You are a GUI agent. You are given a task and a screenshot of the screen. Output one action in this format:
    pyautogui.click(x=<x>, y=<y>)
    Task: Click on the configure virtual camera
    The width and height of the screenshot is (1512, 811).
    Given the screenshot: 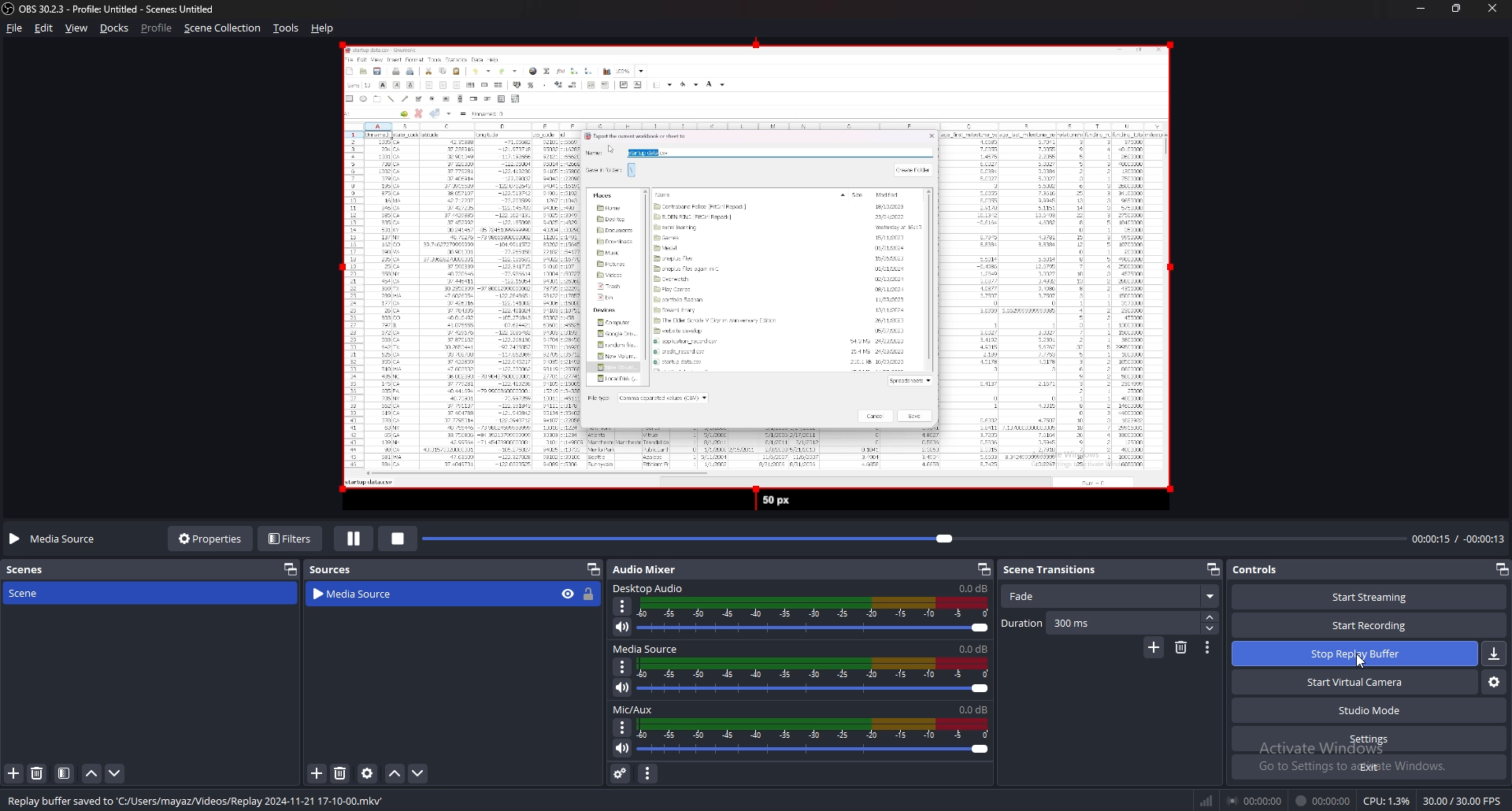 What is the action you would take?
    pyautogui.click(x=1493, y=682)
    